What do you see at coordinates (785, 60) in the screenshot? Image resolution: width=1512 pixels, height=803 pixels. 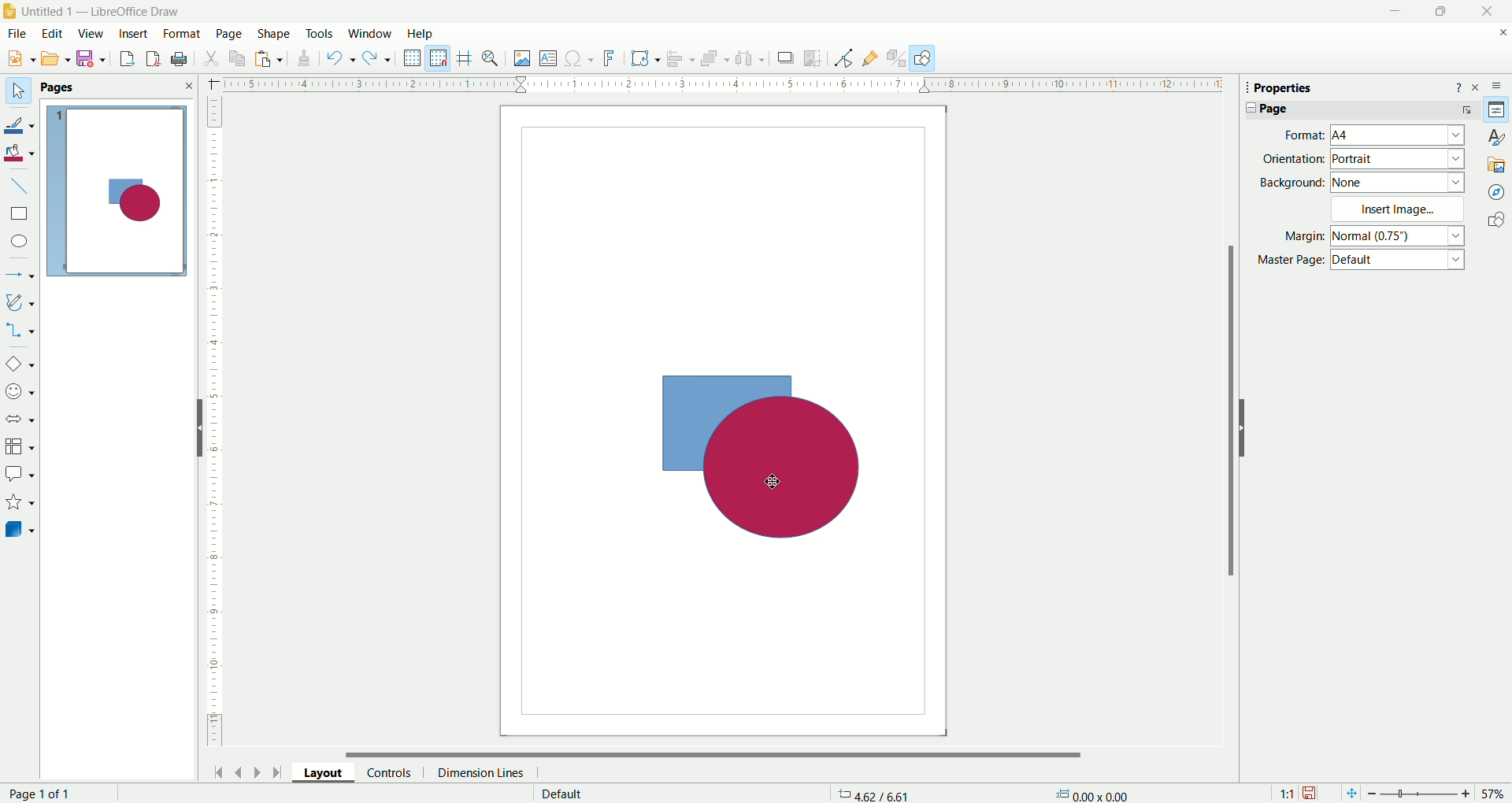 I see `shadow` at bounding box center [785, 60].